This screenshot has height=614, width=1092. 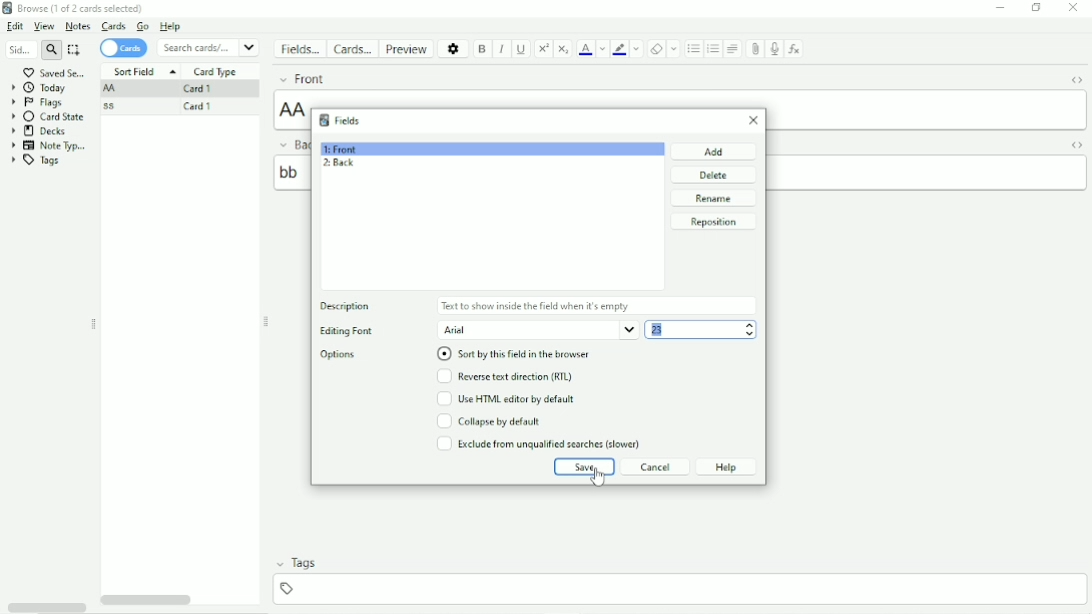 What do you see at coordinates (346, 79) in the screenshot?
I see `Front` at bounding box center [346, 79].